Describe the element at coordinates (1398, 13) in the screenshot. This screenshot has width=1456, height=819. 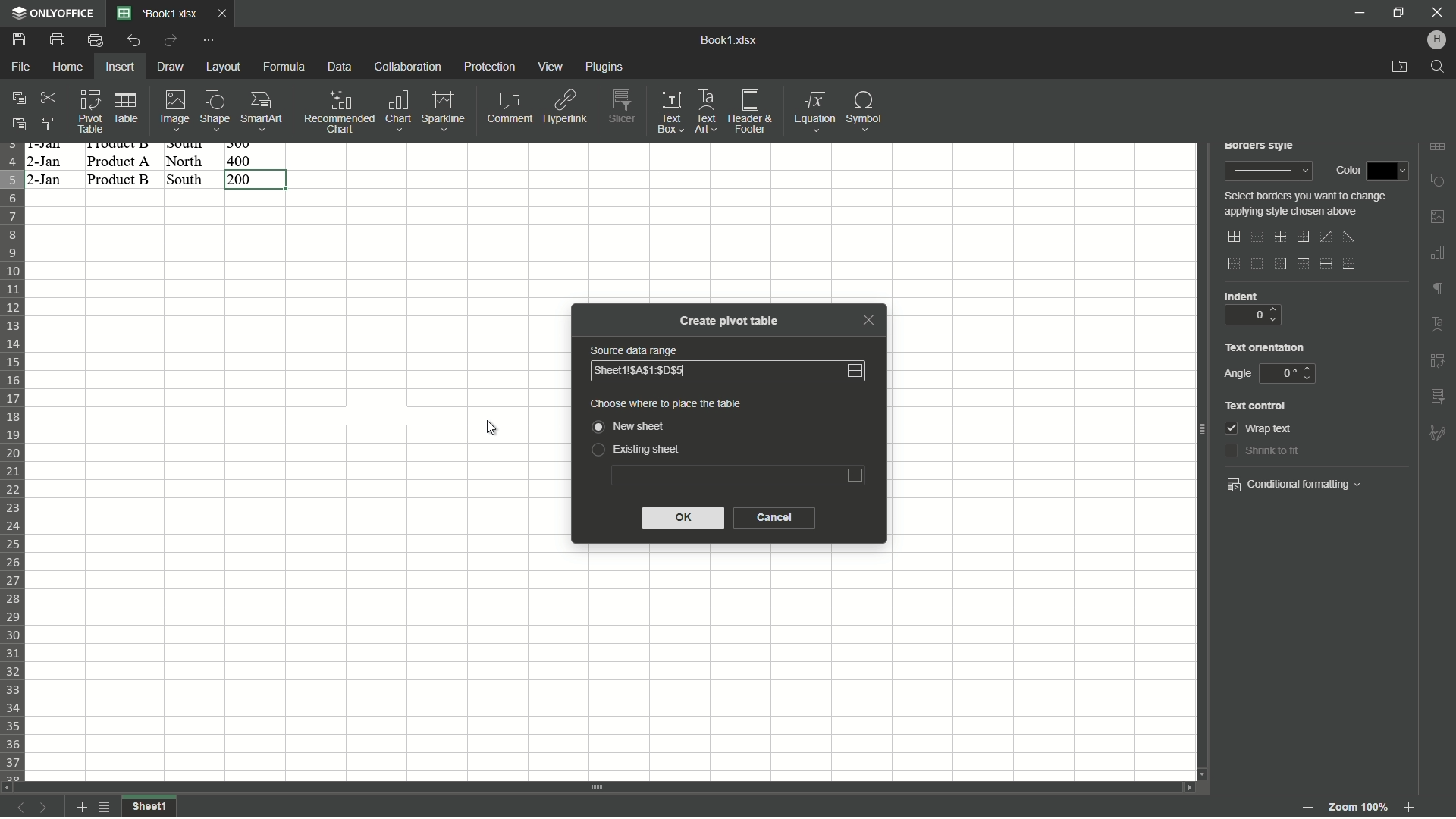
I see `minimize/maximize` at that location.